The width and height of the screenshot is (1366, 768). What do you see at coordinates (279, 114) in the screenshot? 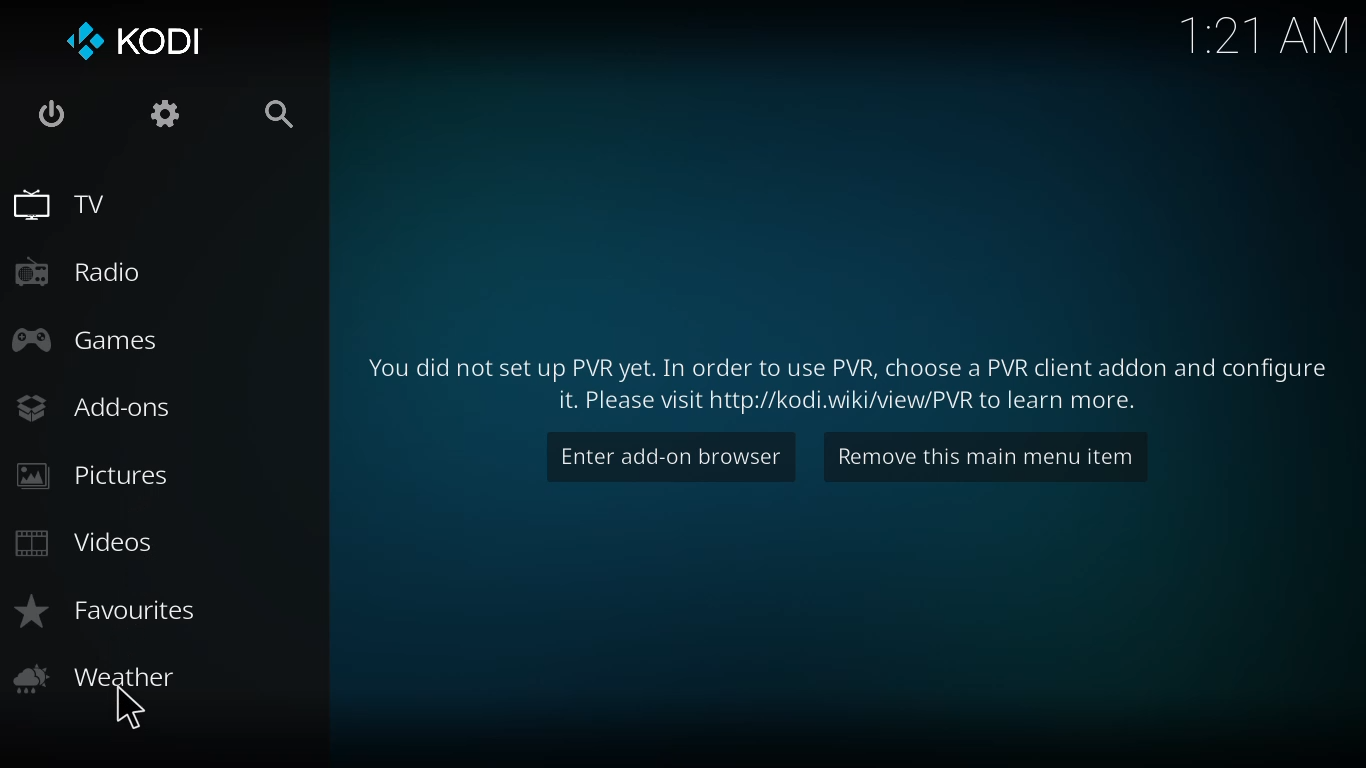
I see `search` at bounding box center [279, 114].